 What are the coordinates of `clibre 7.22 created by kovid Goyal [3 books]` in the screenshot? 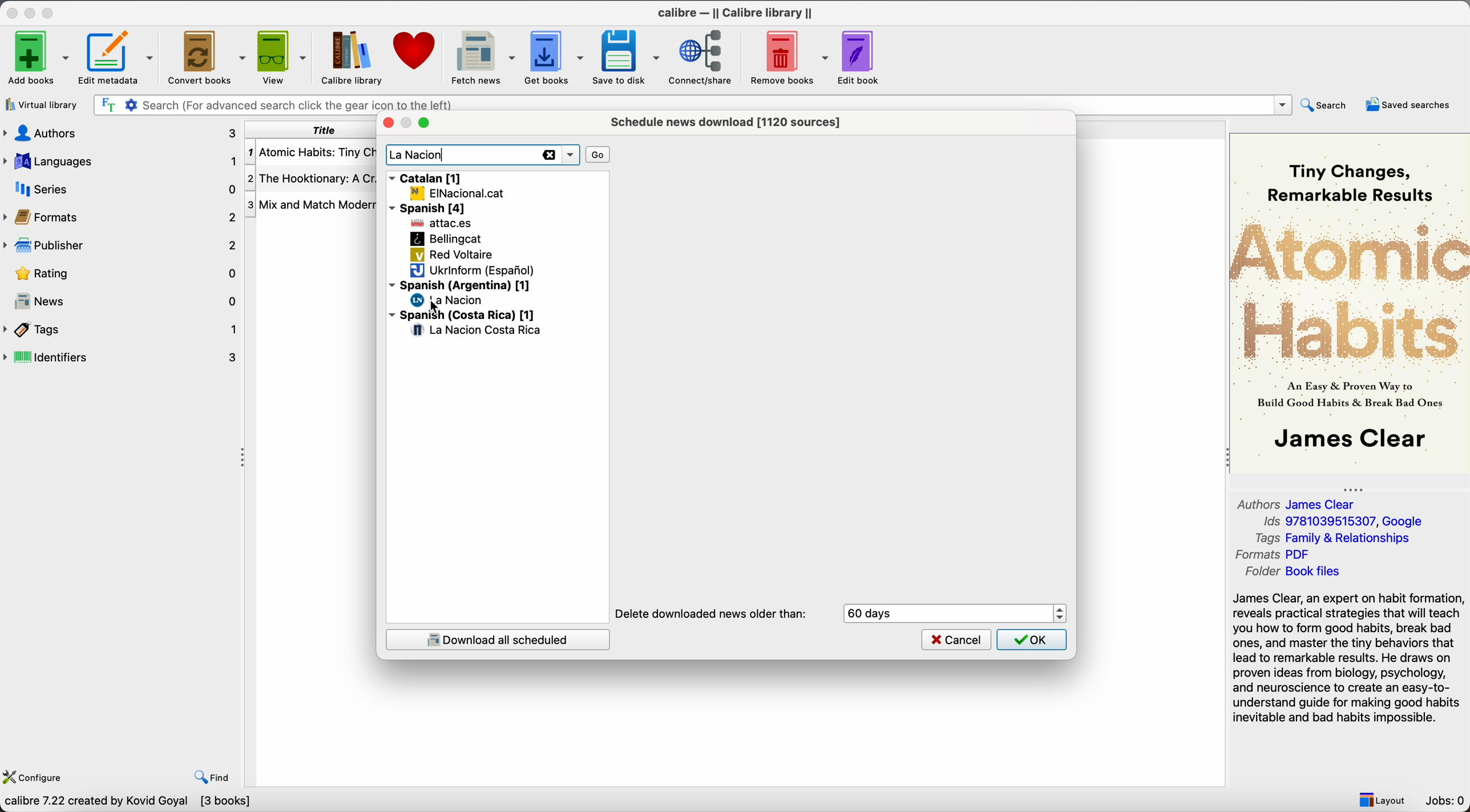 It's located at (127, 803).